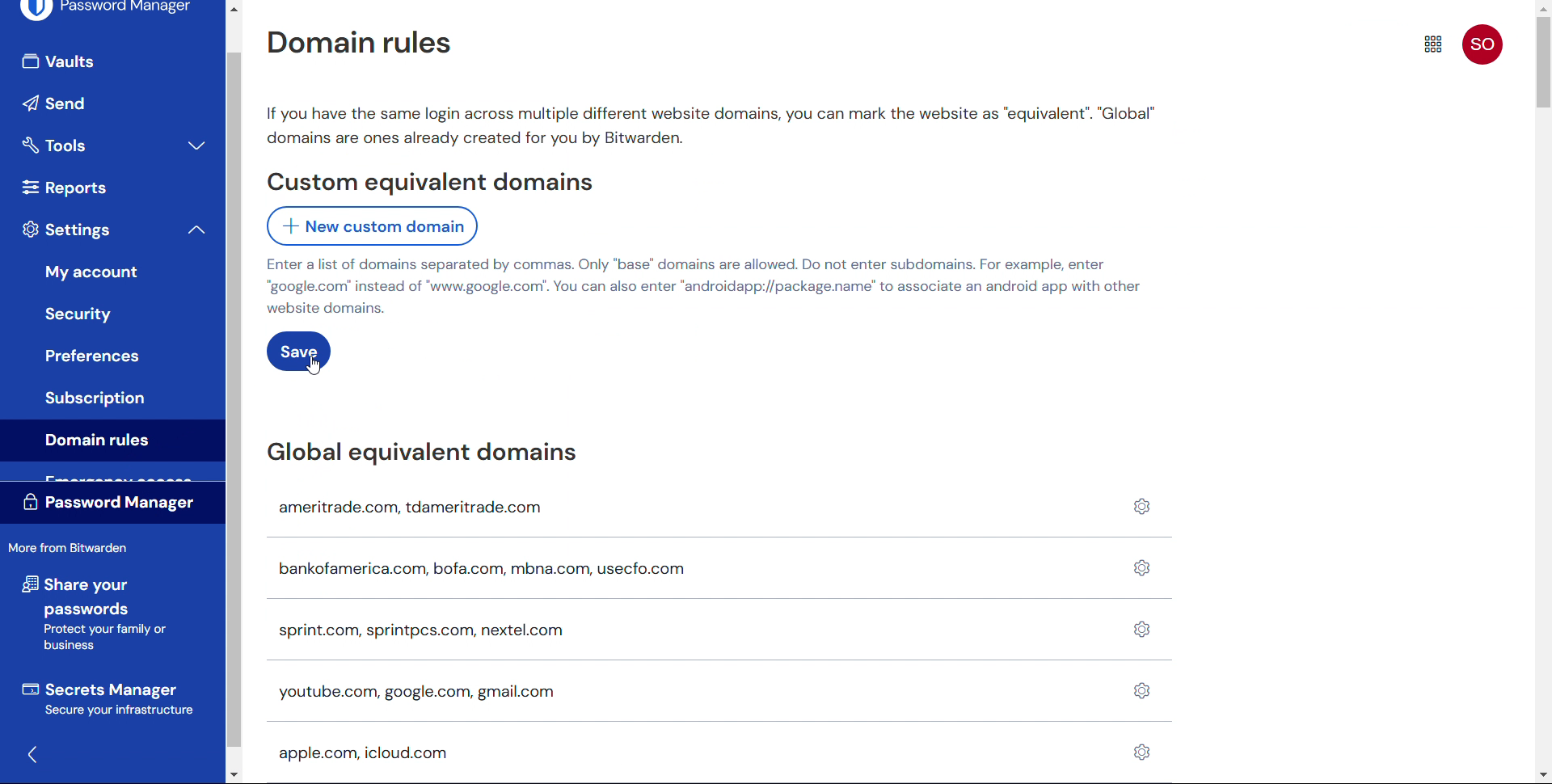 The height and width of the screenshot is (784, 1552). What do you see at coordinates (414, 693) in the screenshot?
I see `youtube.com, google.com, gmail.com` at bounding box center [414, 693].